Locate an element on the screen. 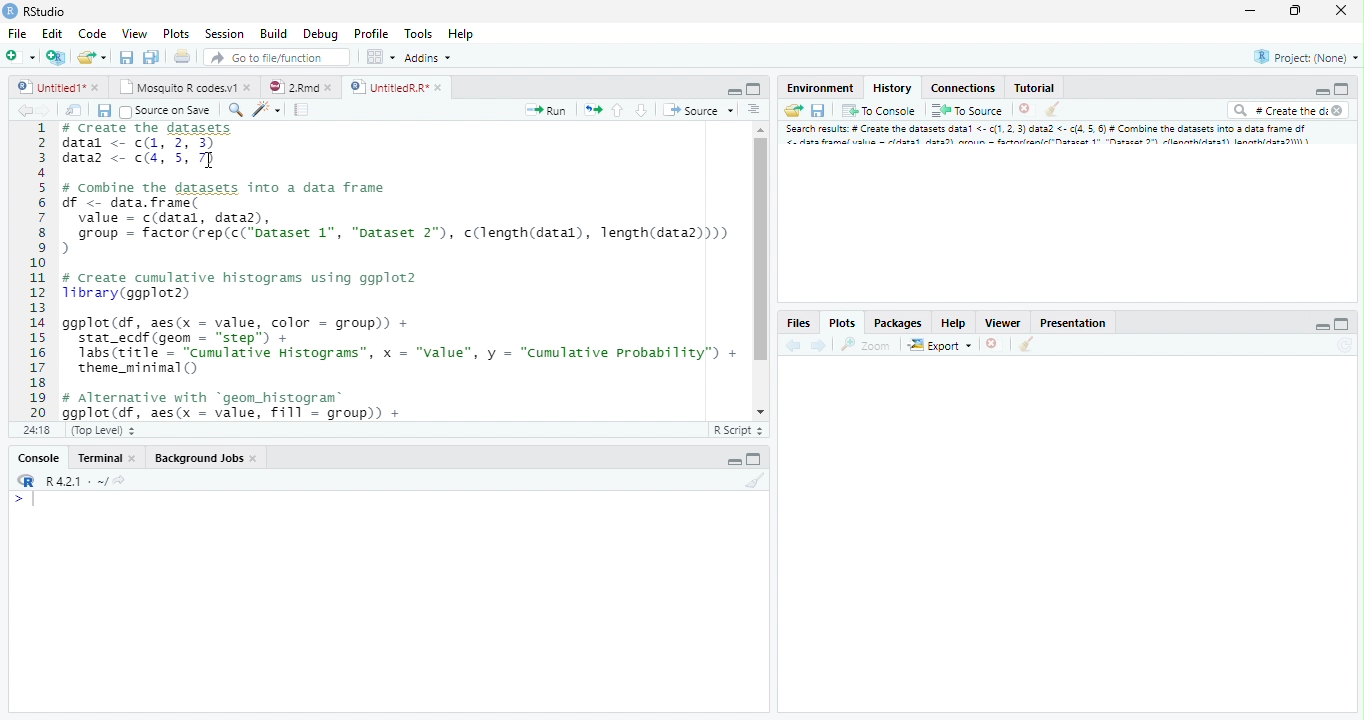 This screenshot has width=1364, height=720. Close is located at coordinates (1339, 10).